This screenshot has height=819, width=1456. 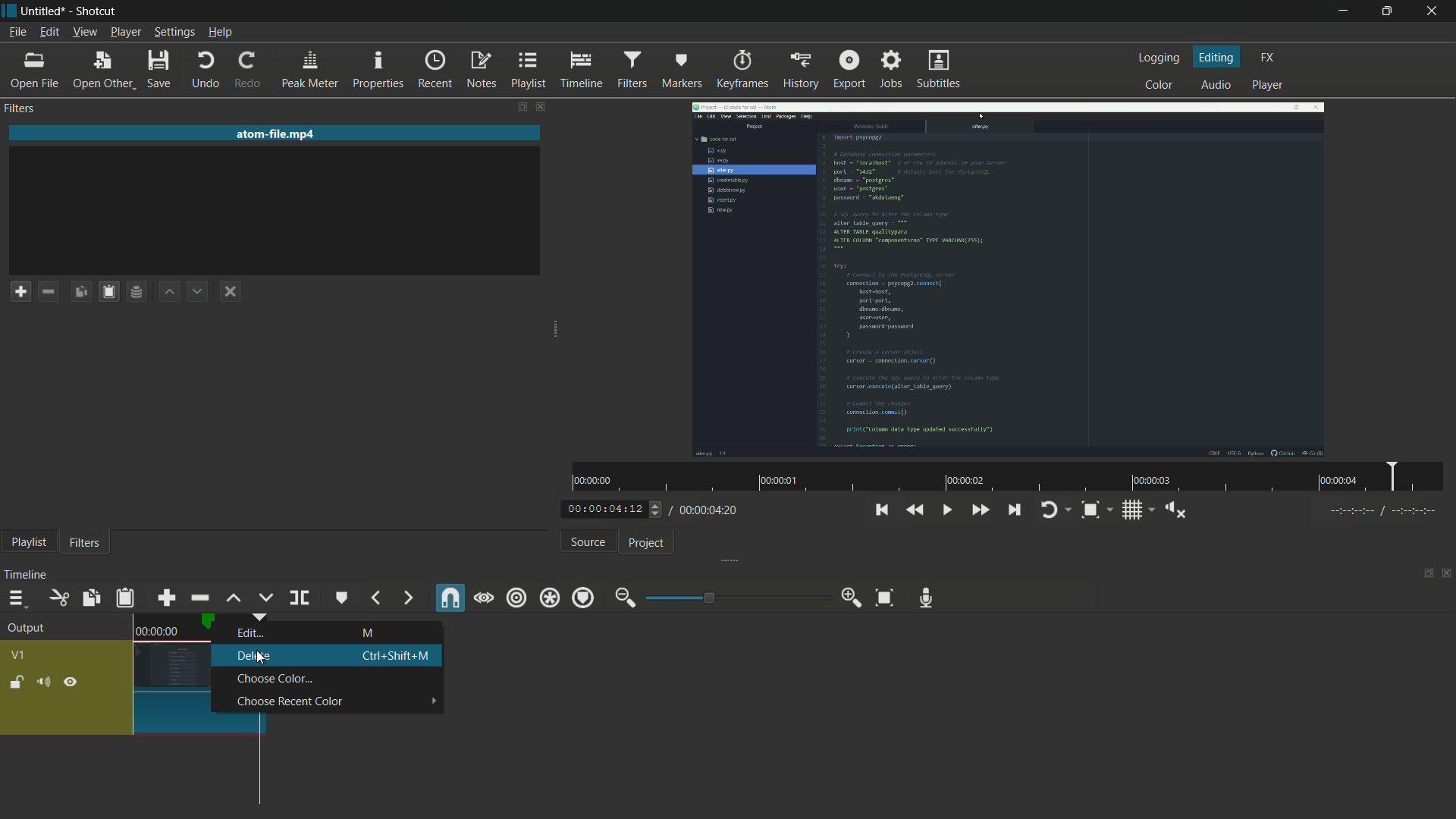 What do you see at coordinates (342, 598) in the screenshot?
I see `create or edit marker` at bounding box center [342, 598].